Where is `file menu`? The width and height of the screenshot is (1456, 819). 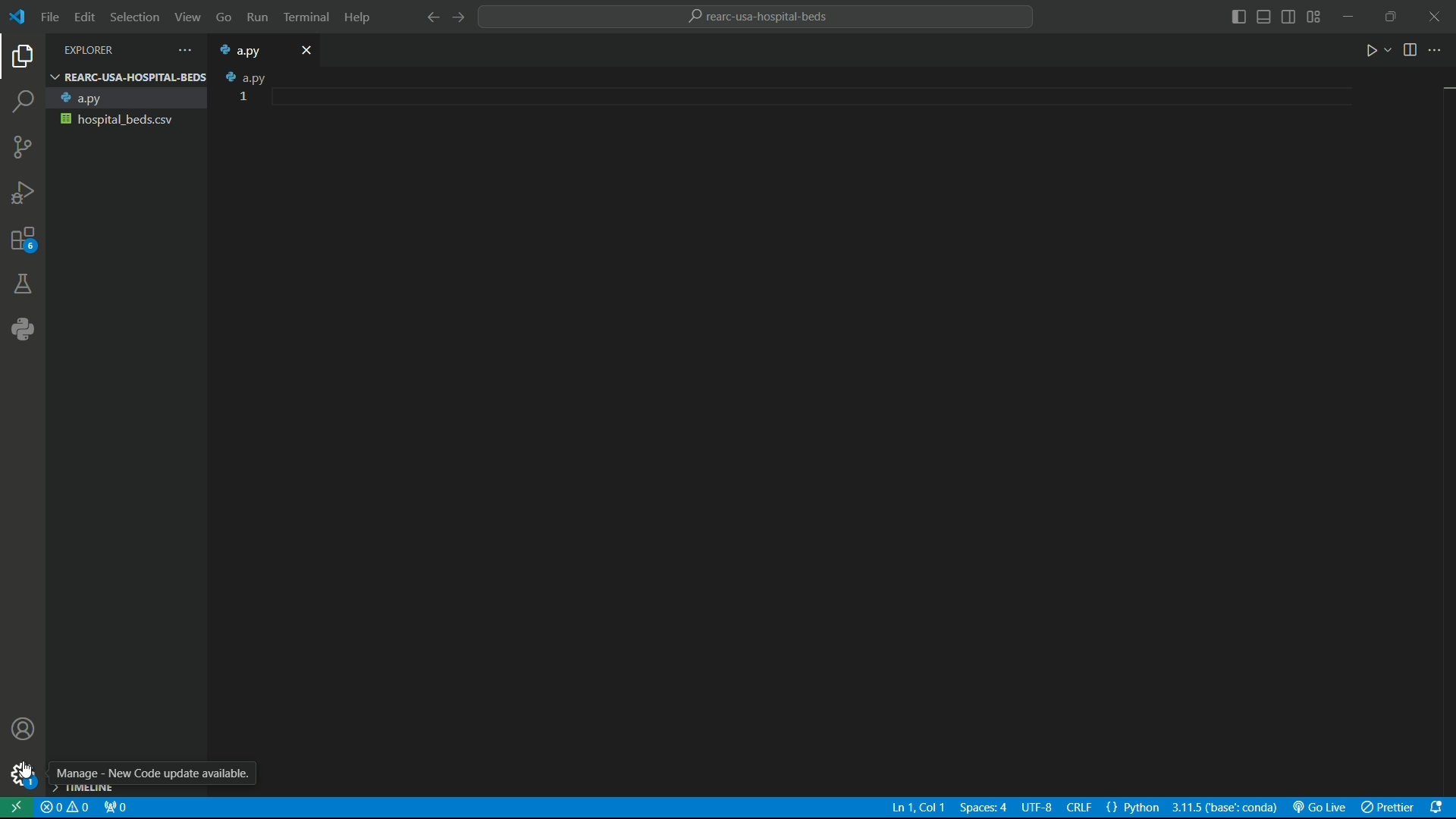
file menu is located at coordinates (50, 17).